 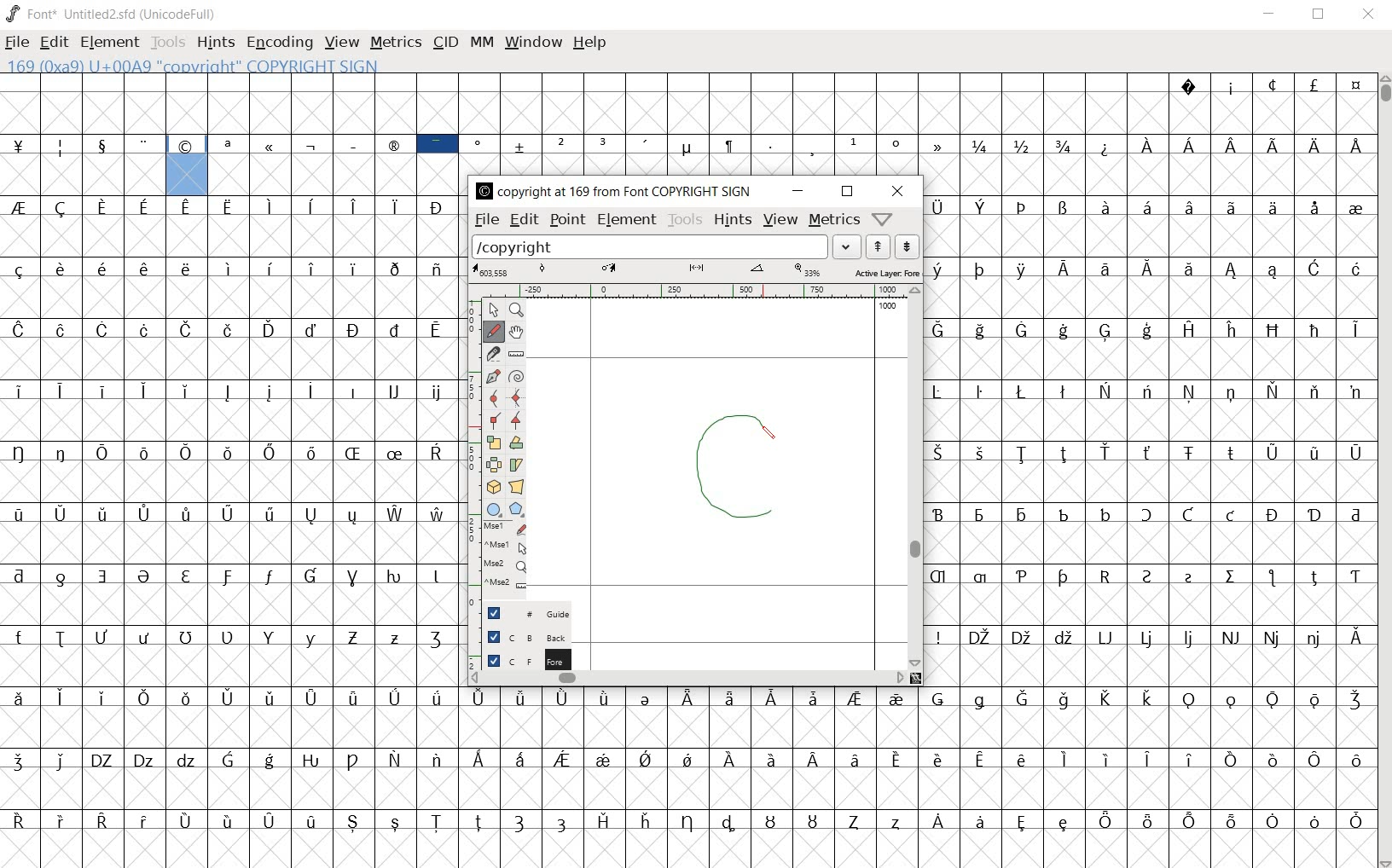 What do you see at coordinates (917, 775) in the screenshot?
I see `glyph characters` at bounding box center [917, 775].